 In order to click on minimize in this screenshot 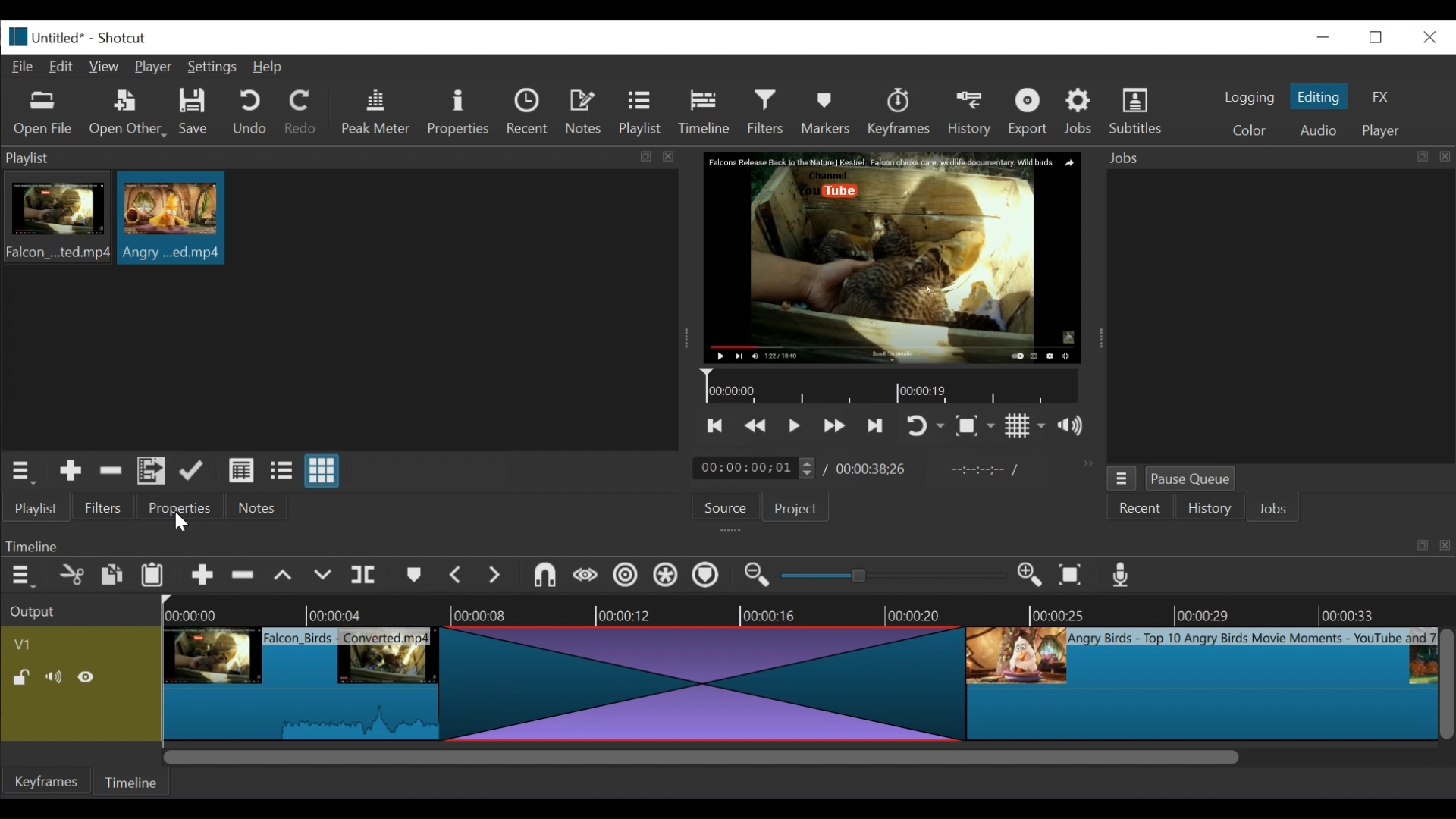, I will do `click(1323, 36)`.